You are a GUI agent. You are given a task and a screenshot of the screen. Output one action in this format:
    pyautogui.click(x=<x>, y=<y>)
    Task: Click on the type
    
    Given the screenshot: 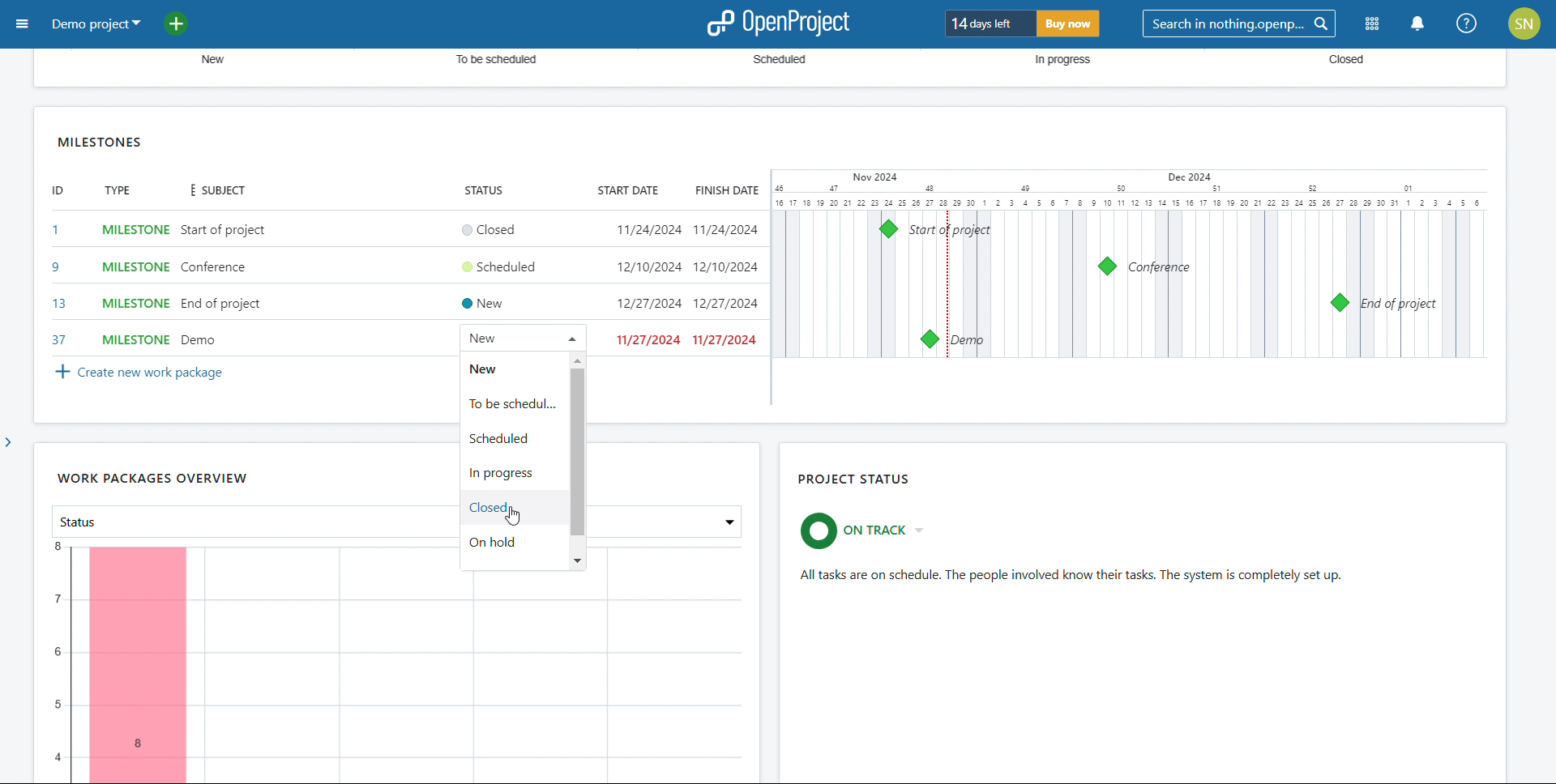 What is the action you would take?
    pyautogui.click(x=118, y=191)
    